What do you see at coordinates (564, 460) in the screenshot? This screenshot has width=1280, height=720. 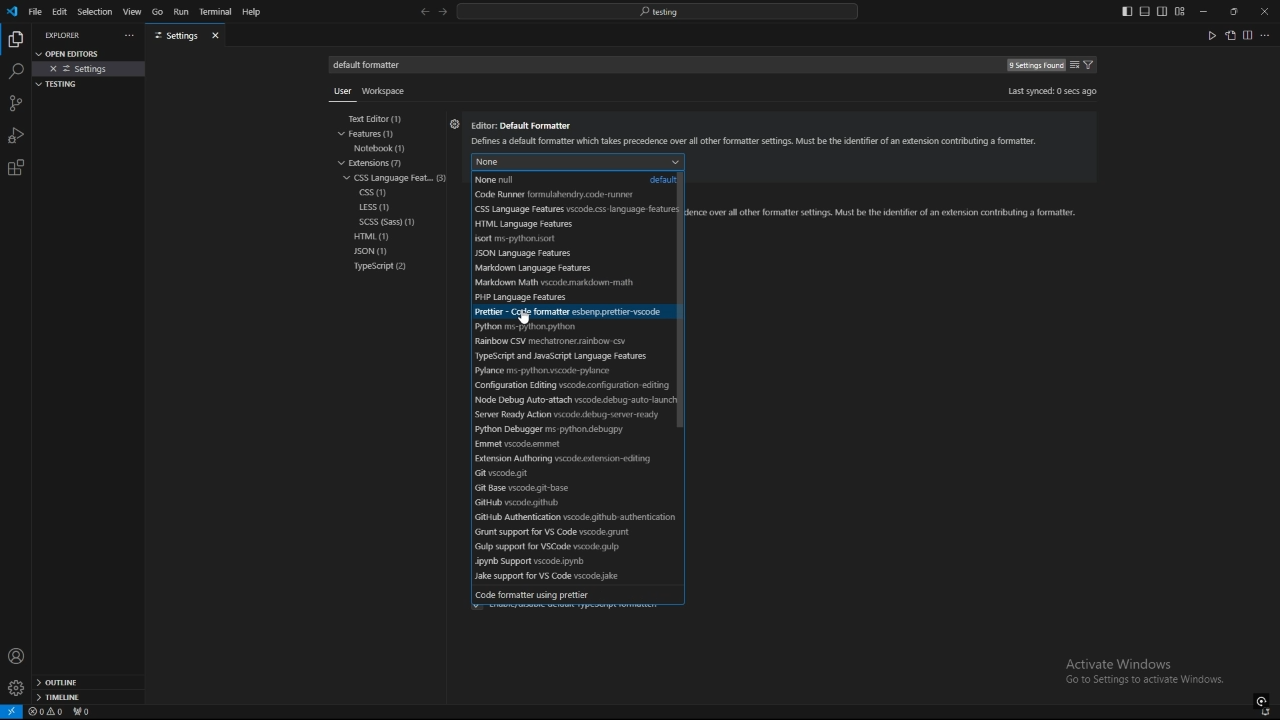 I see `extension authoring` at bounding box center [564, 460].